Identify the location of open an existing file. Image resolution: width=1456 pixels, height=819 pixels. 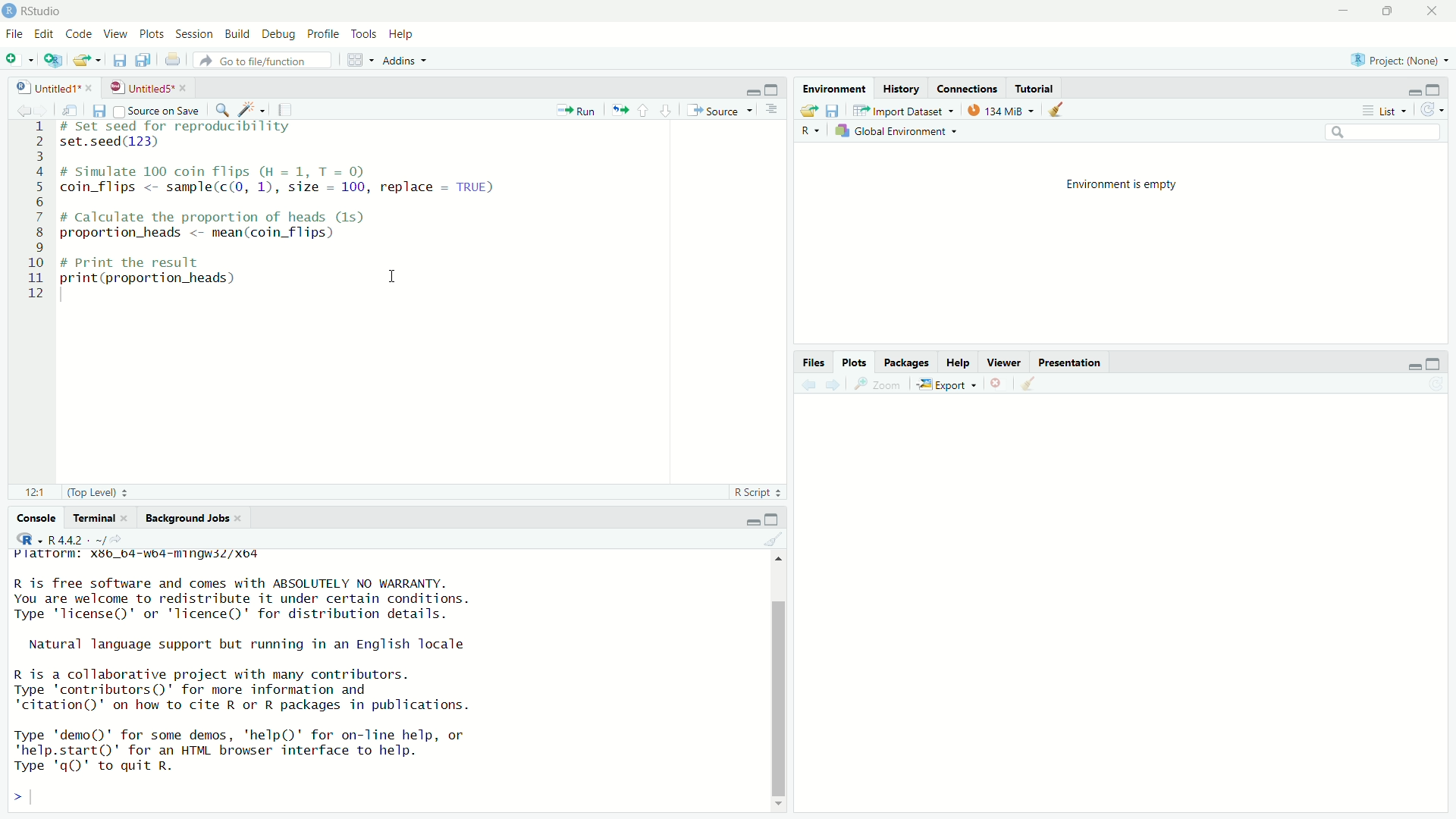
(86, 61).